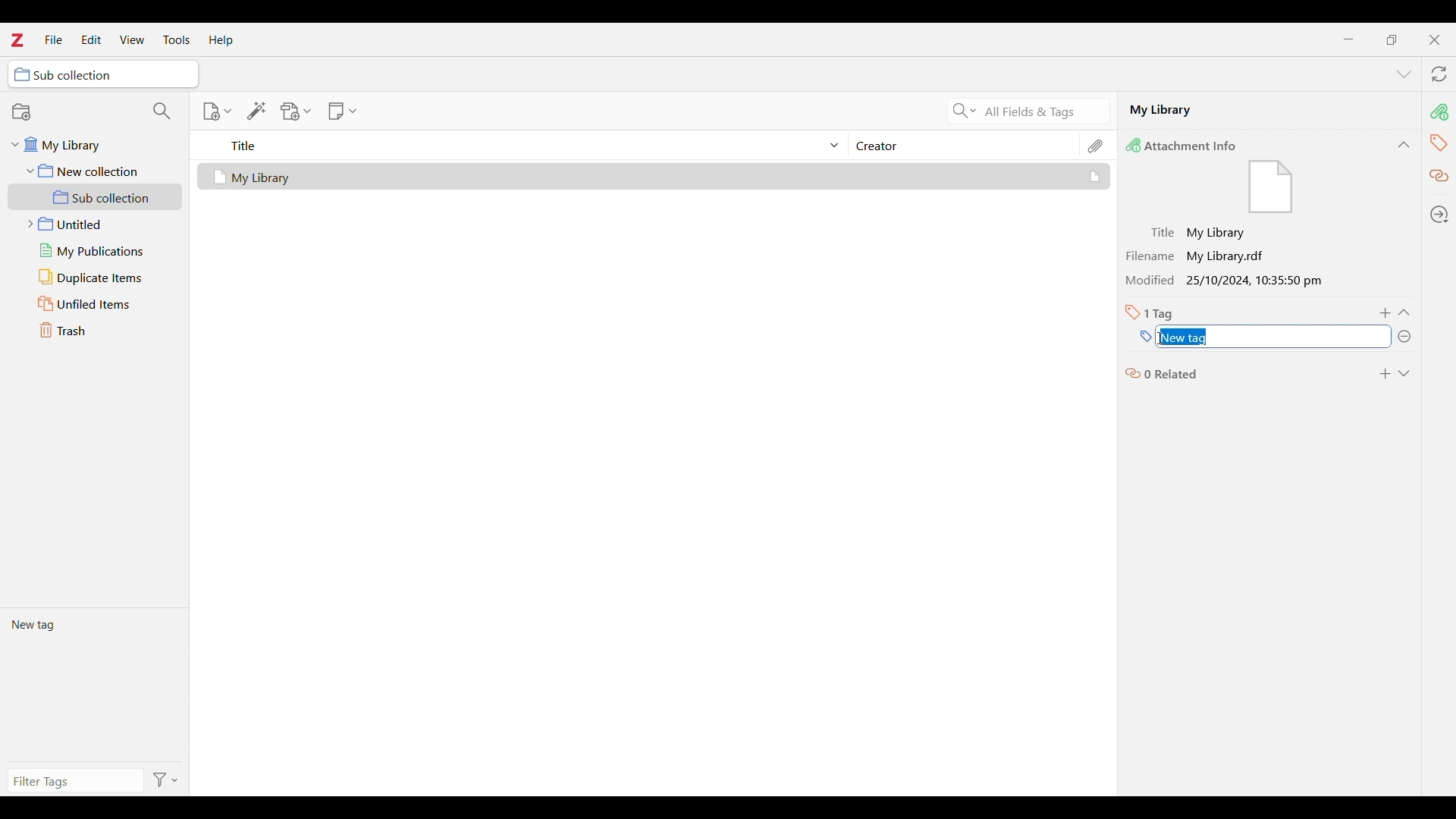 Image resolution: width=1456 pixels, height=819 pixels. I want to click on pin, so click(1439, 111).